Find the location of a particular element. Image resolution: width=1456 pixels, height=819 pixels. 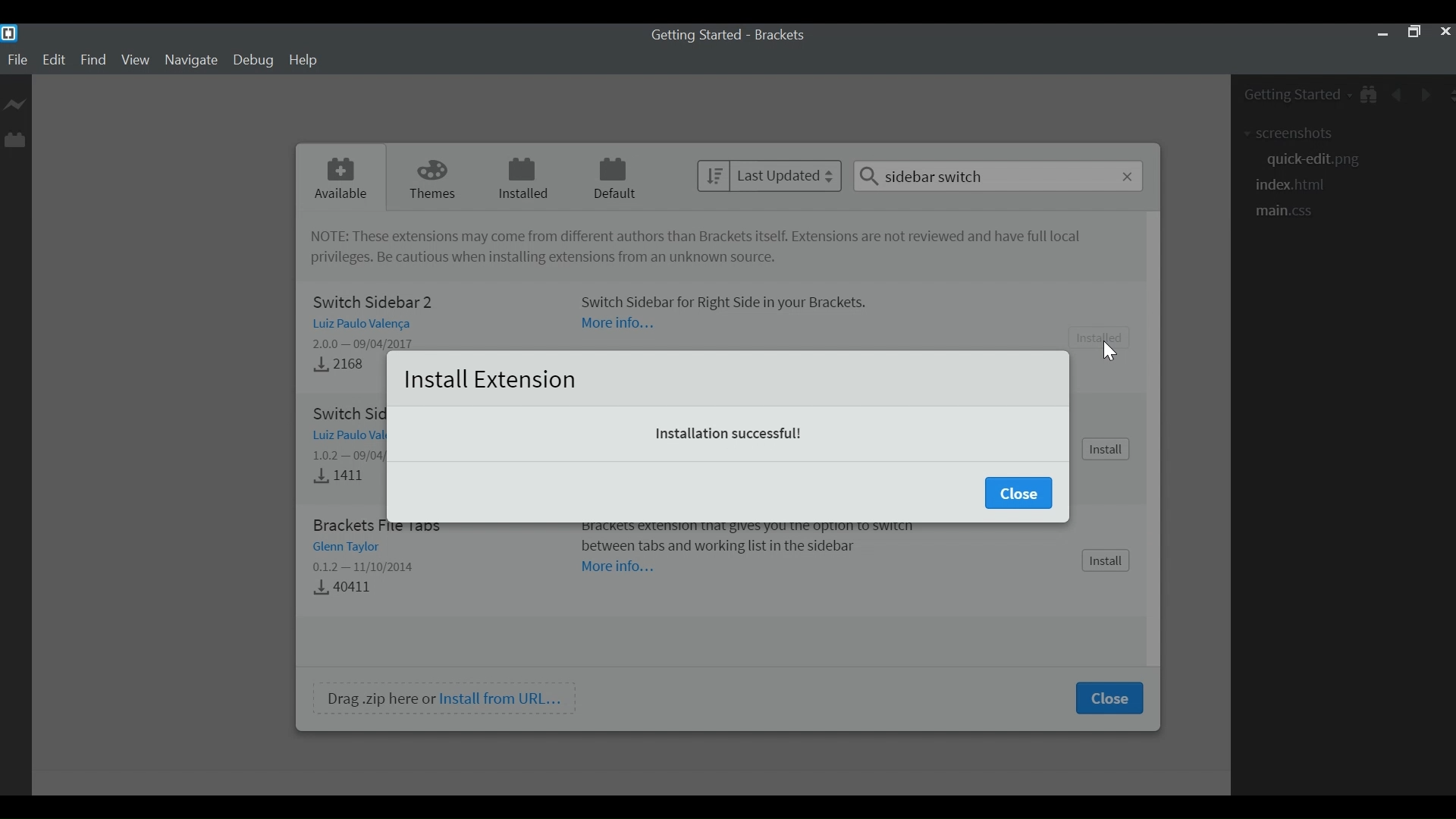

screenshot is located at coordinates (1294, 134).